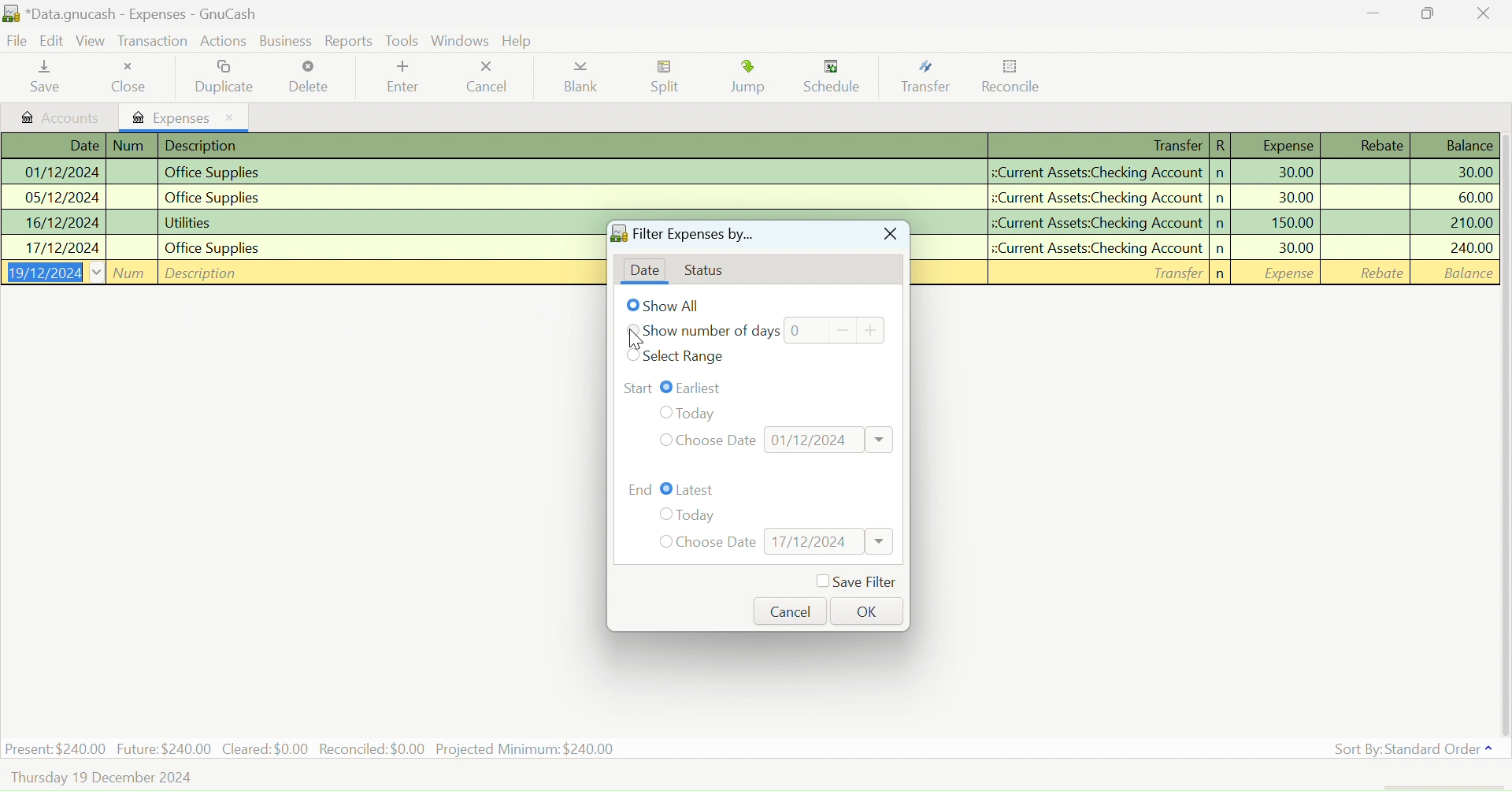  What do you see at coordinates (663, 514) in the screenshot?
I see `Checkbox` at bounding box center [663, 514].